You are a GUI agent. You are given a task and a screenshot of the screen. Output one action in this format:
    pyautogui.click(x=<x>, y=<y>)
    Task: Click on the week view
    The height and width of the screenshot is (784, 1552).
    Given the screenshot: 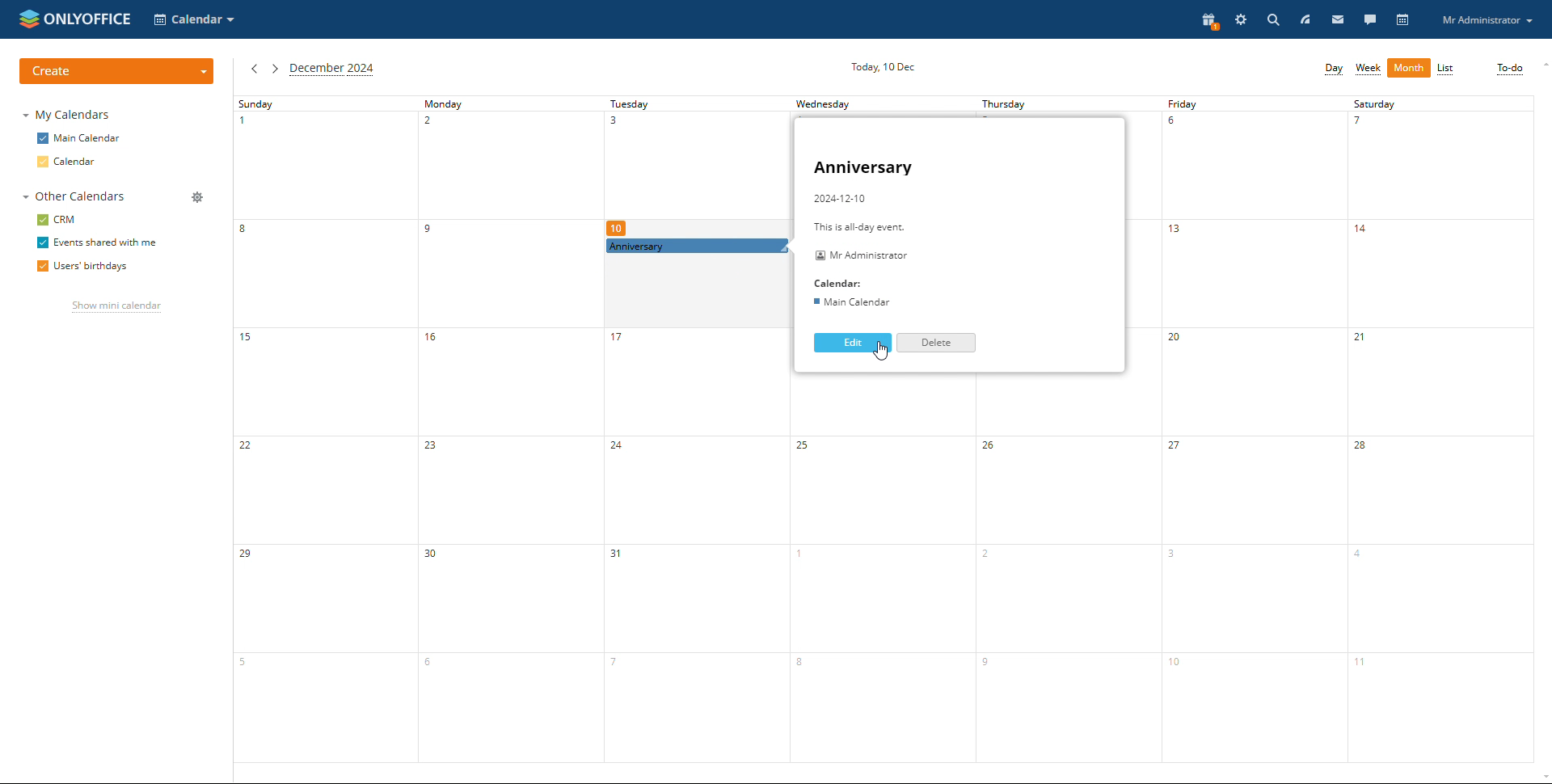 What is the action you would take?
    pyautogui.click(x=1368, y=69)
    